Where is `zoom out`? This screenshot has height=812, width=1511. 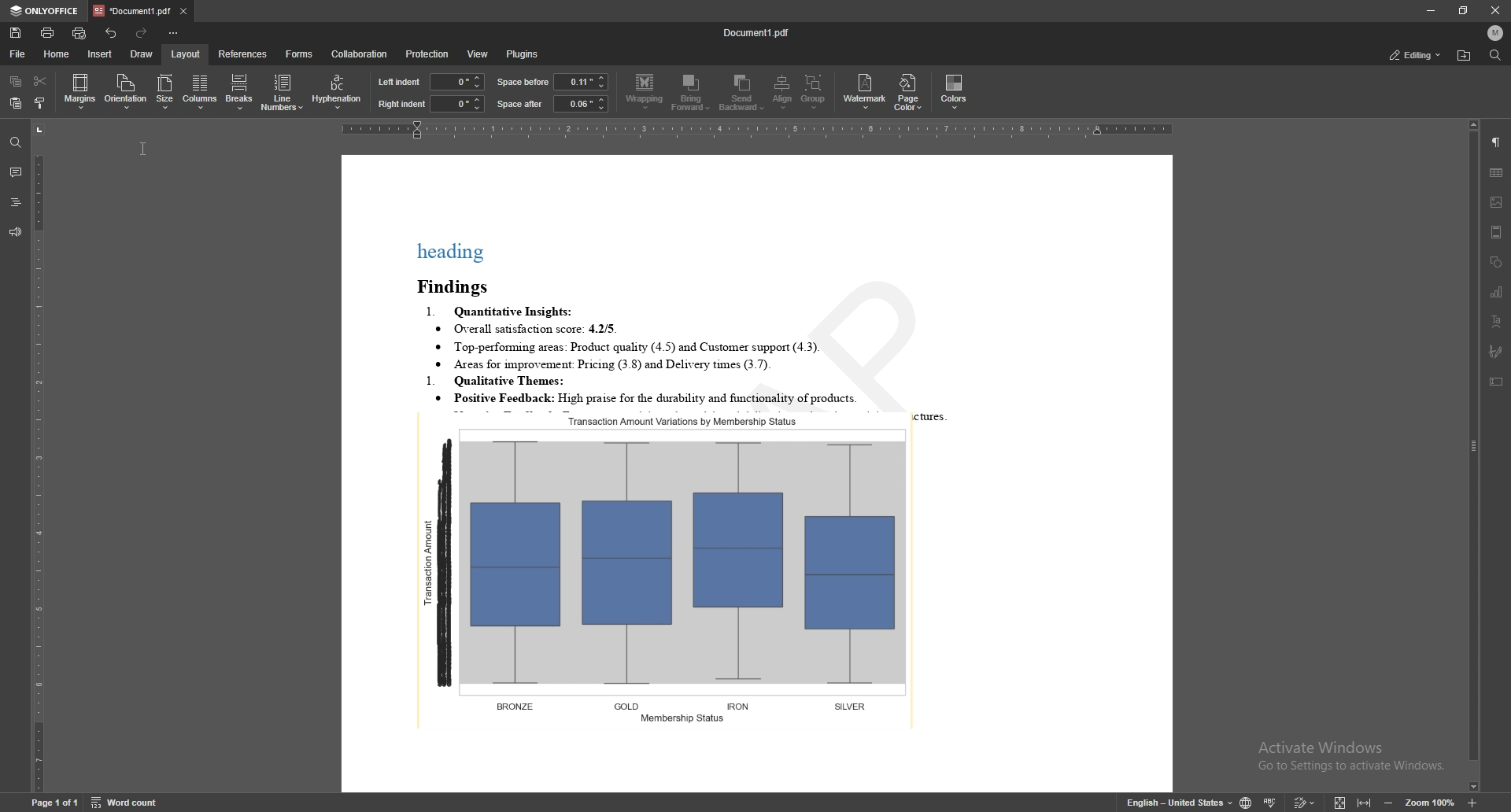
zoom out is located at coordinates (1388, 803).